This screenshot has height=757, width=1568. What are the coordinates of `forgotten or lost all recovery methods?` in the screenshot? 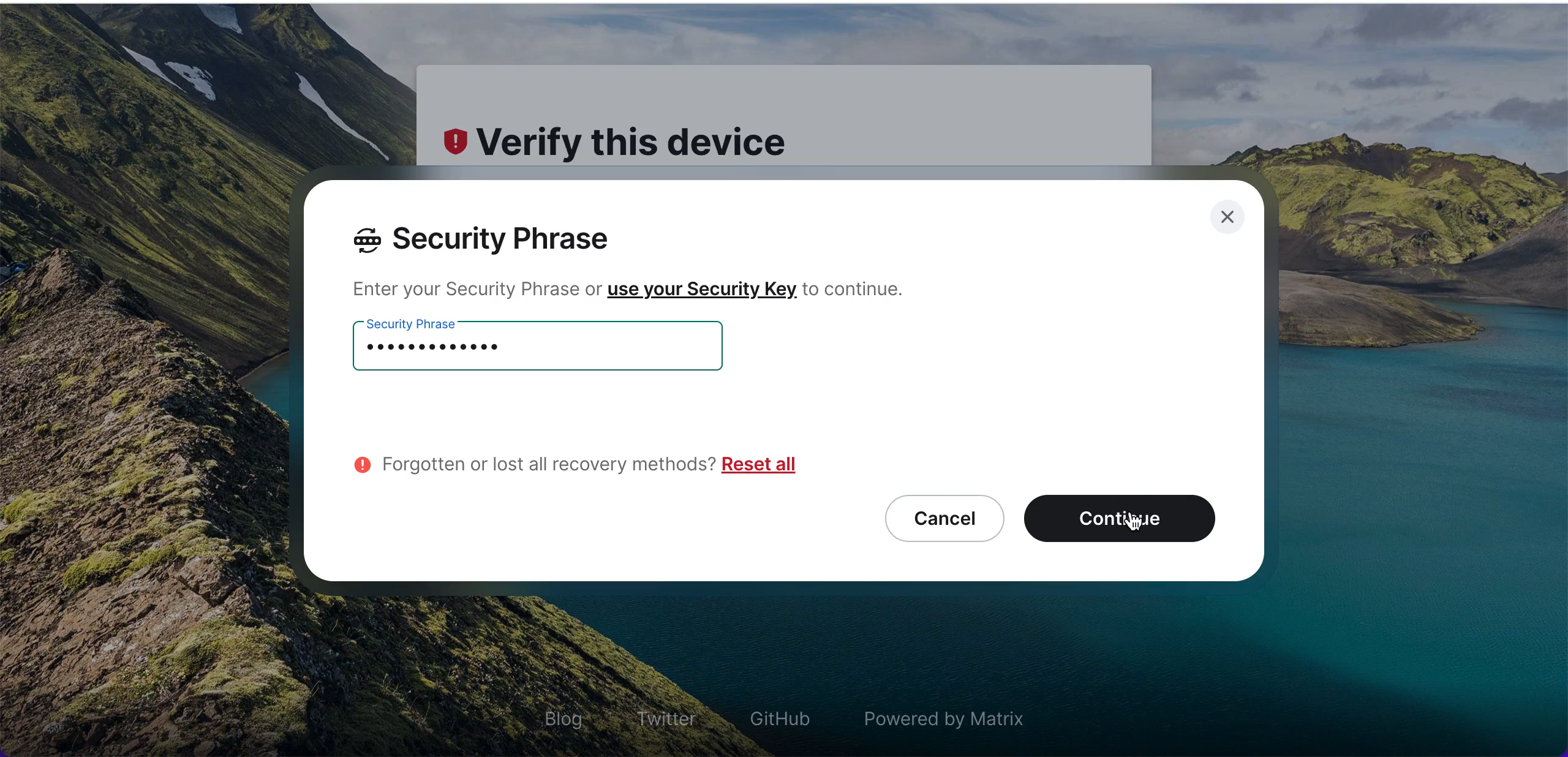 It's located at (531, 458).